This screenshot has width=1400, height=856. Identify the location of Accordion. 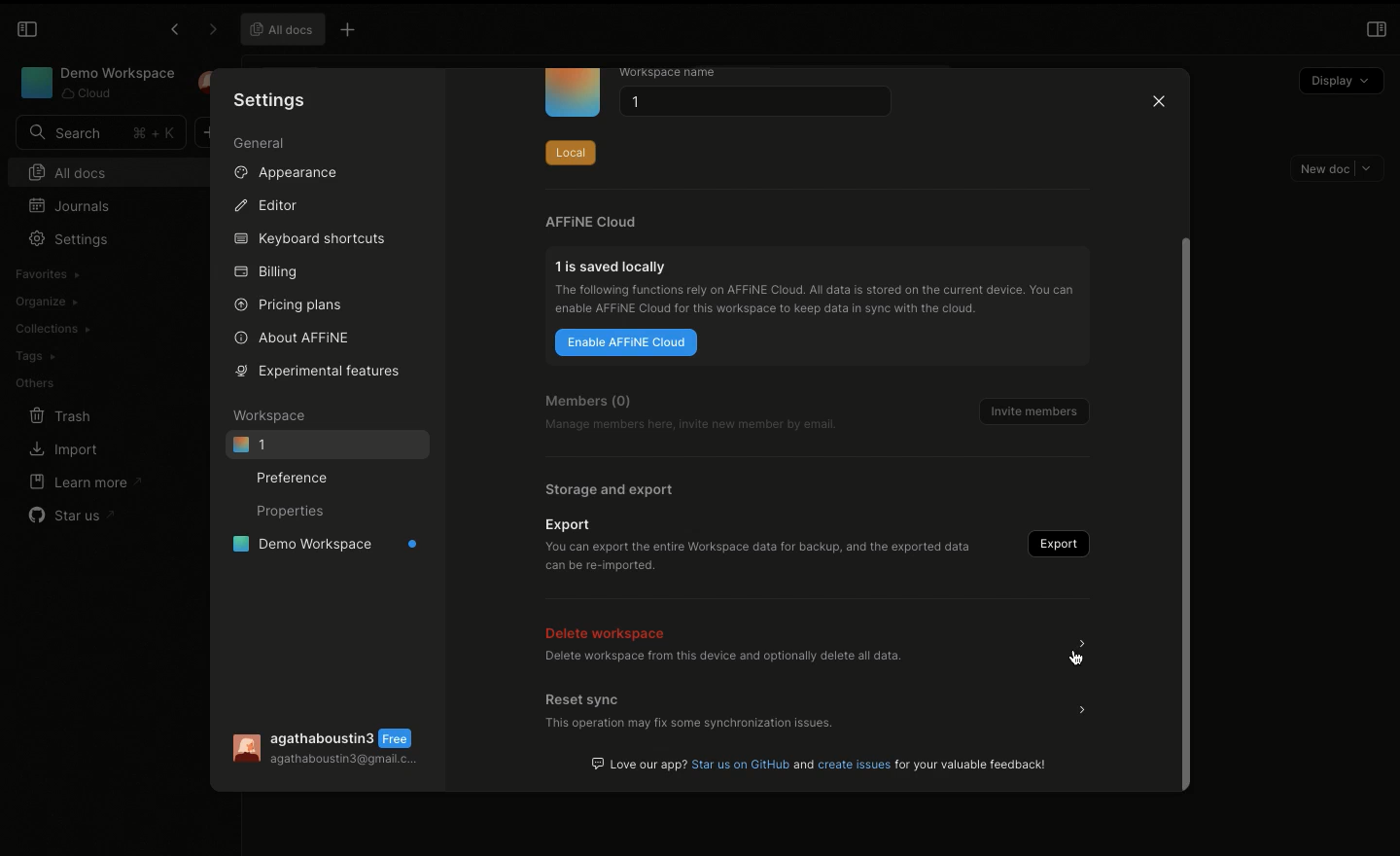
(1082, 709).